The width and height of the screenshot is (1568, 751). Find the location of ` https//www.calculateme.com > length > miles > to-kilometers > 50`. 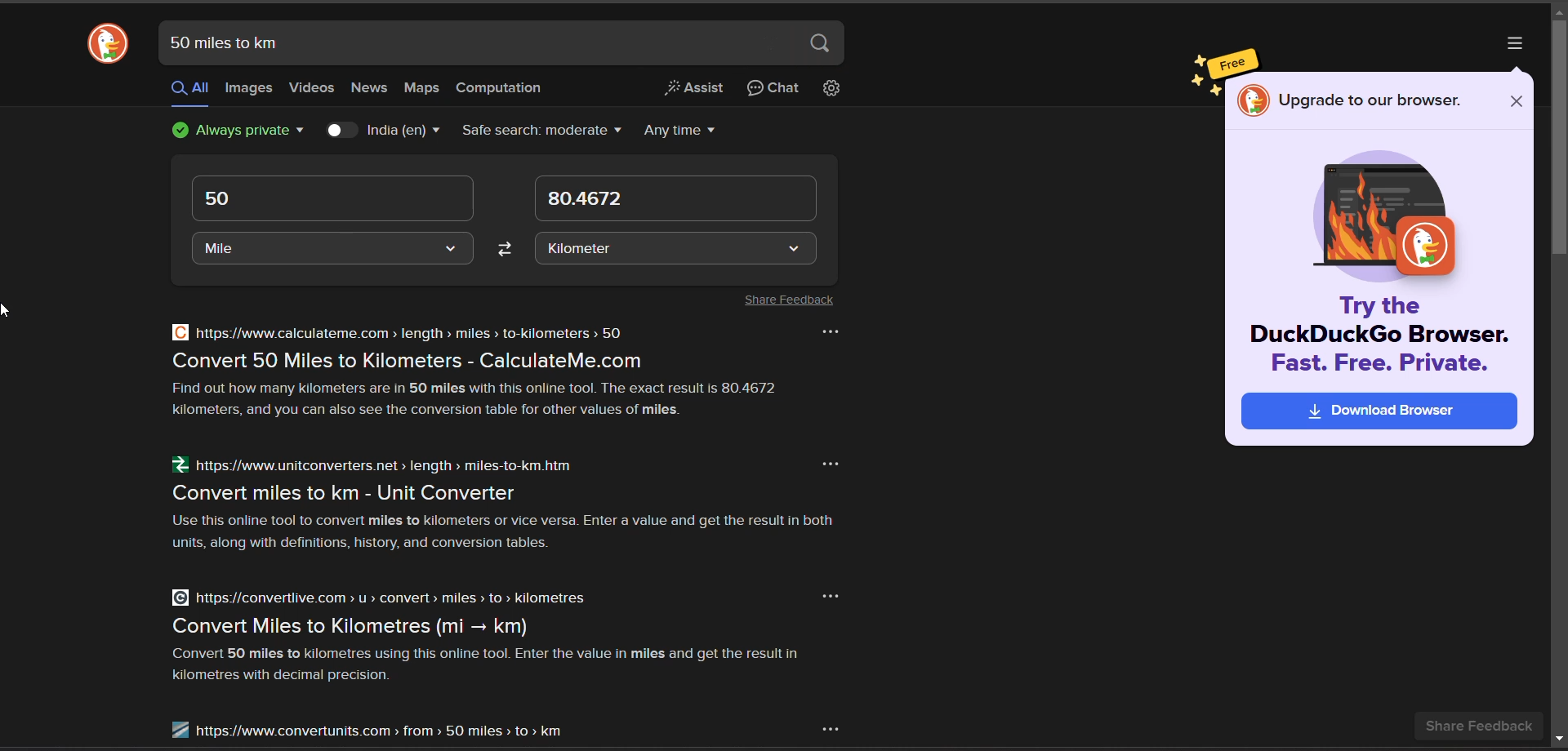

 https//www.calculateme.com > length > miles > to-kilometers > 50 is located at coordinates (396, 332).